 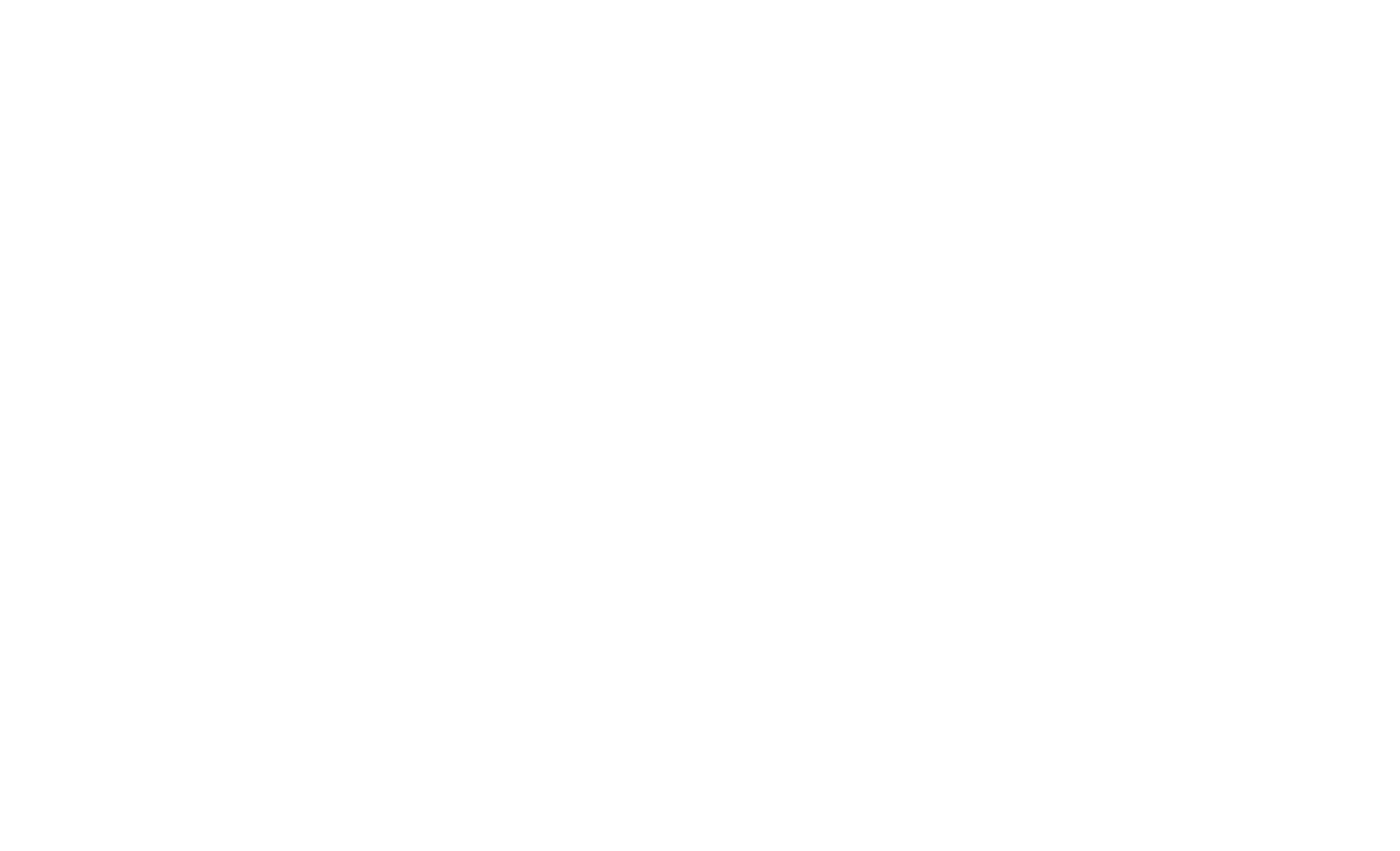 I want to click on 1513 px, so click(x=682, y=240).